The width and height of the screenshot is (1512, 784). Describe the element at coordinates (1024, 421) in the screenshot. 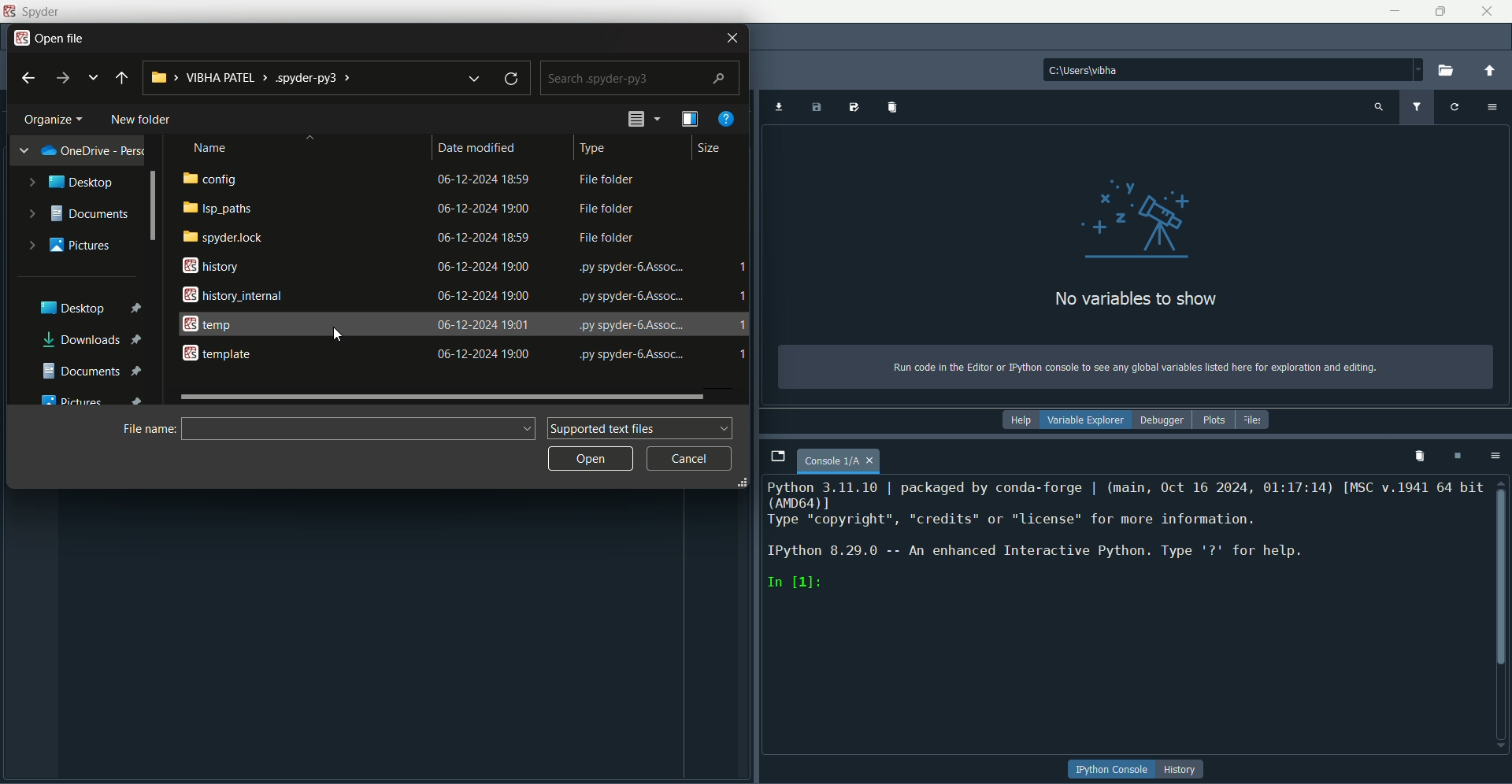

I see `help` at that location.